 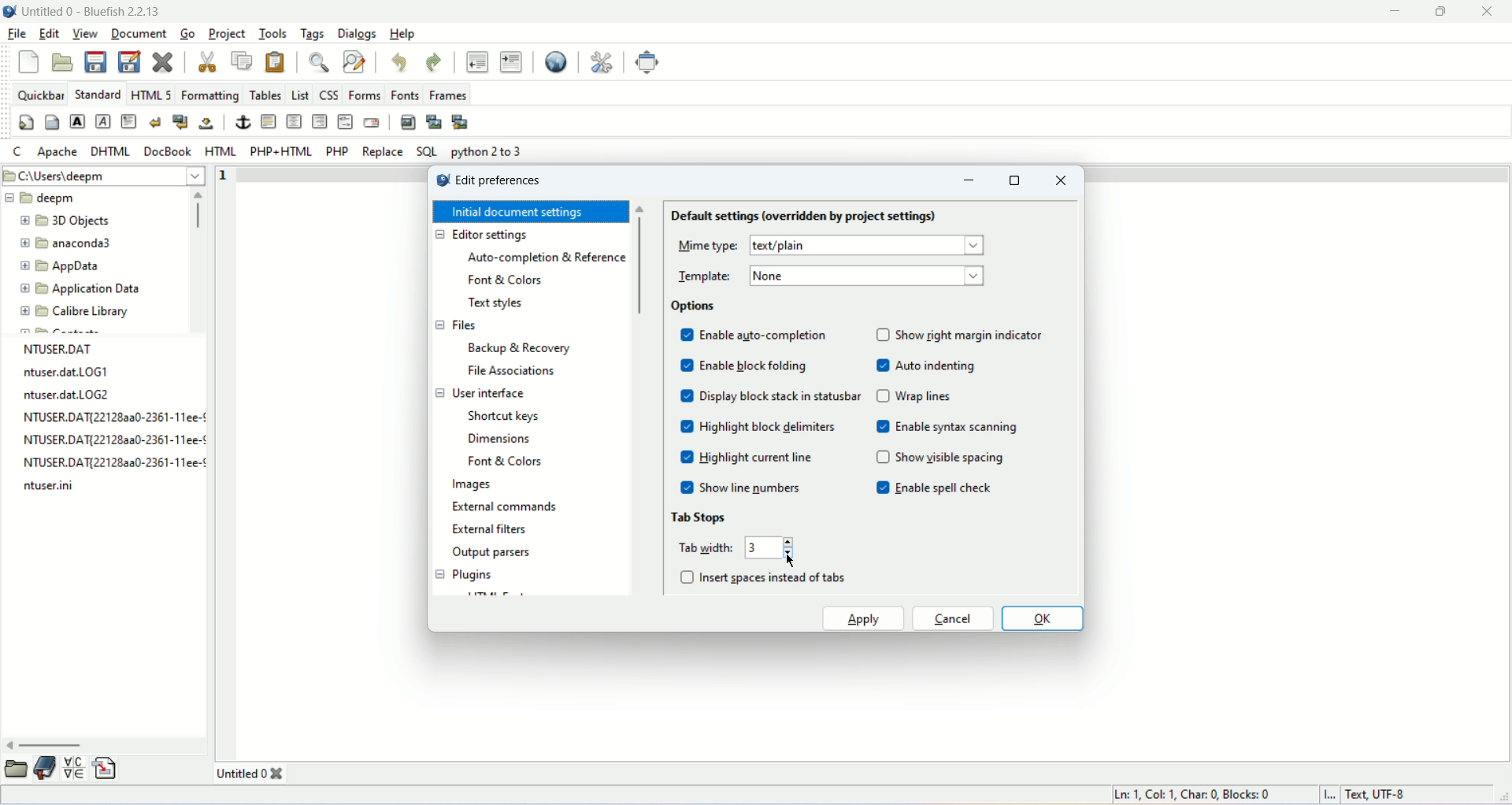 I want to click on save as, so click(x=129, y=62).